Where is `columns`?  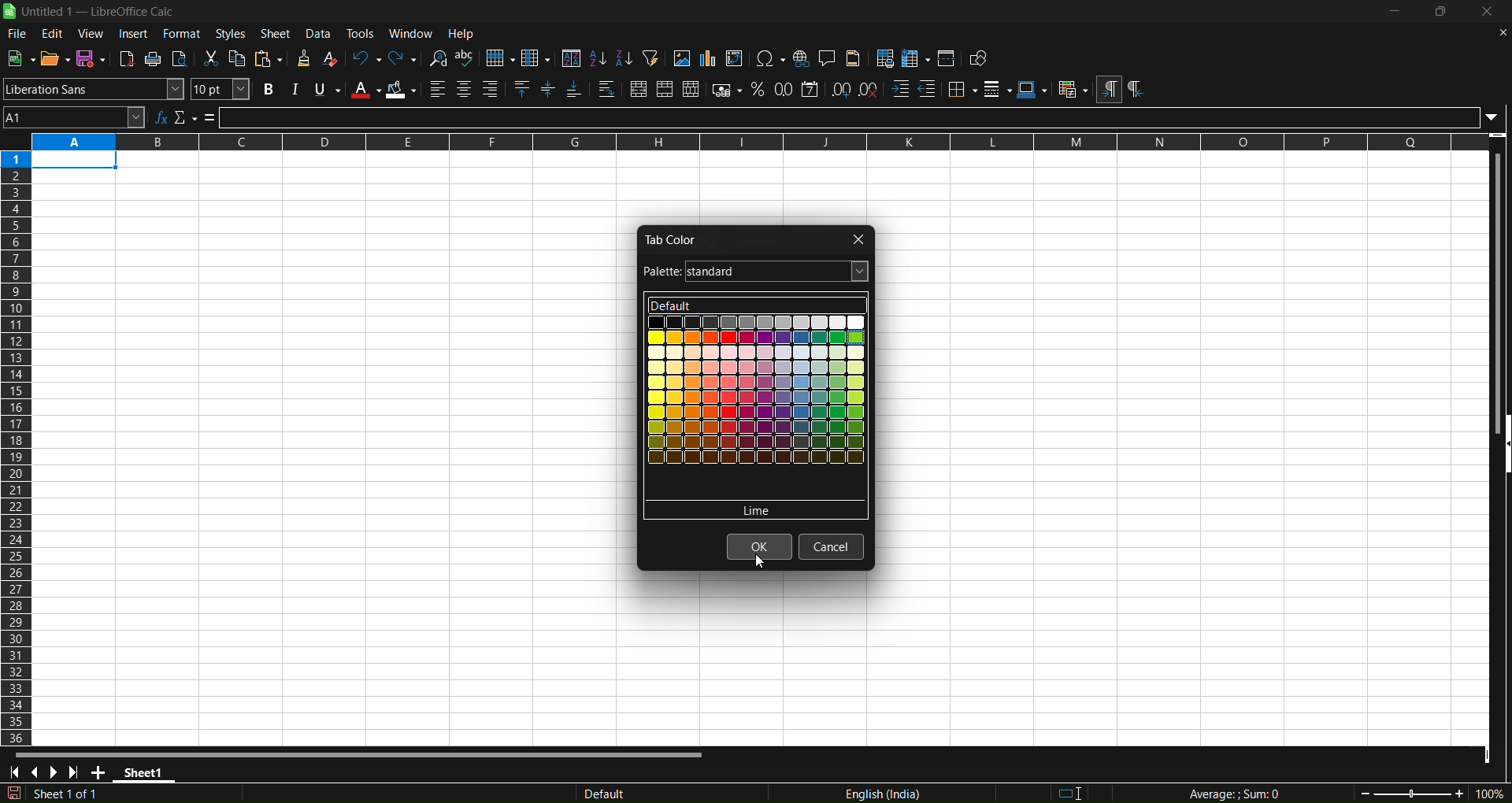 columns is located at coordinates (17, 444).